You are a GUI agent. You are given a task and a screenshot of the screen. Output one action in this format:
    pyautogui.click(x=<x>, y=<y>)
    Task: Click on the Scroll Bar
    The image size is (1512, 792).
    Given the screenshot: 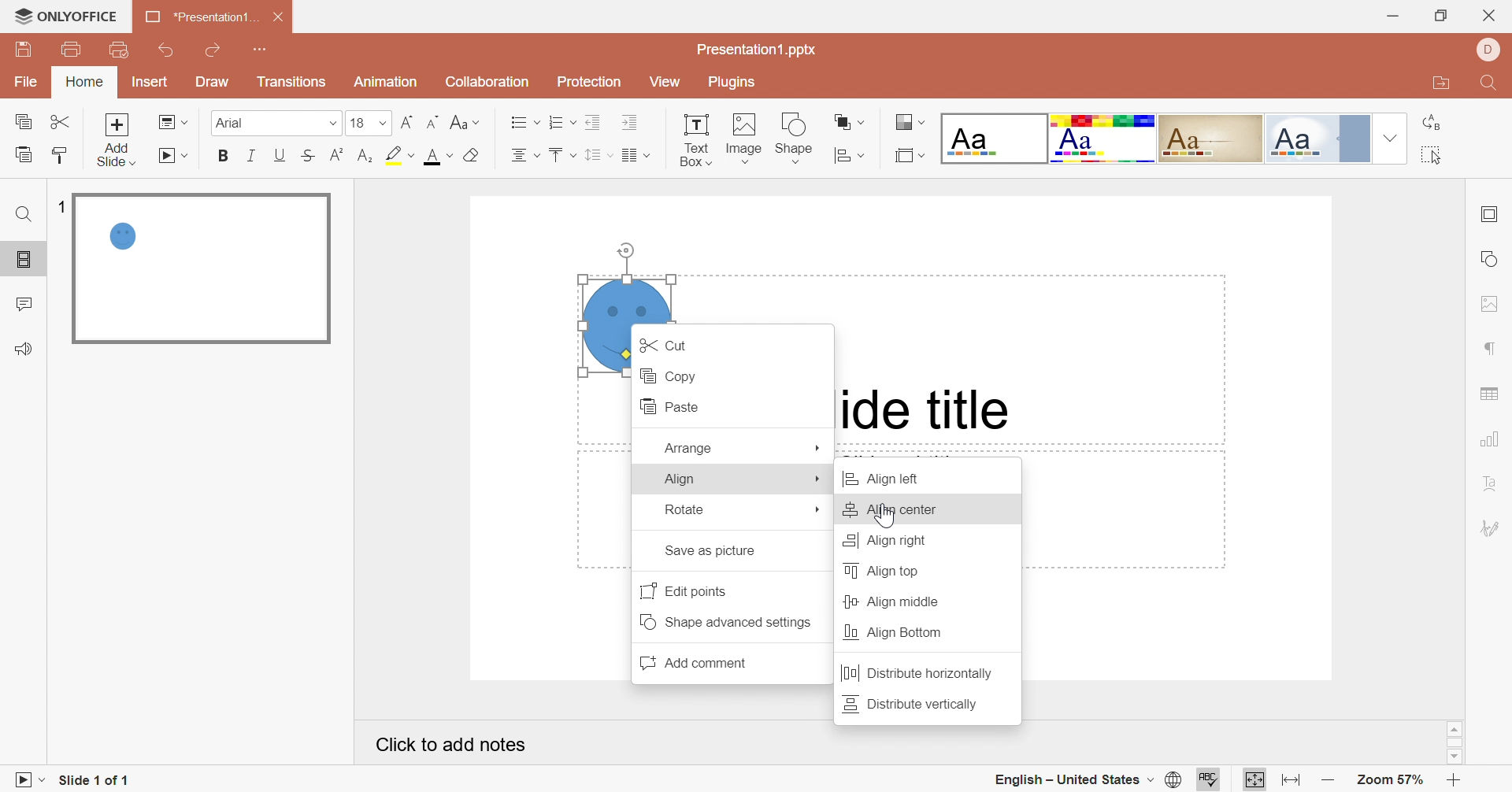 What is the action you would take?
    pyautogui.click(x=1454, y=742)
    